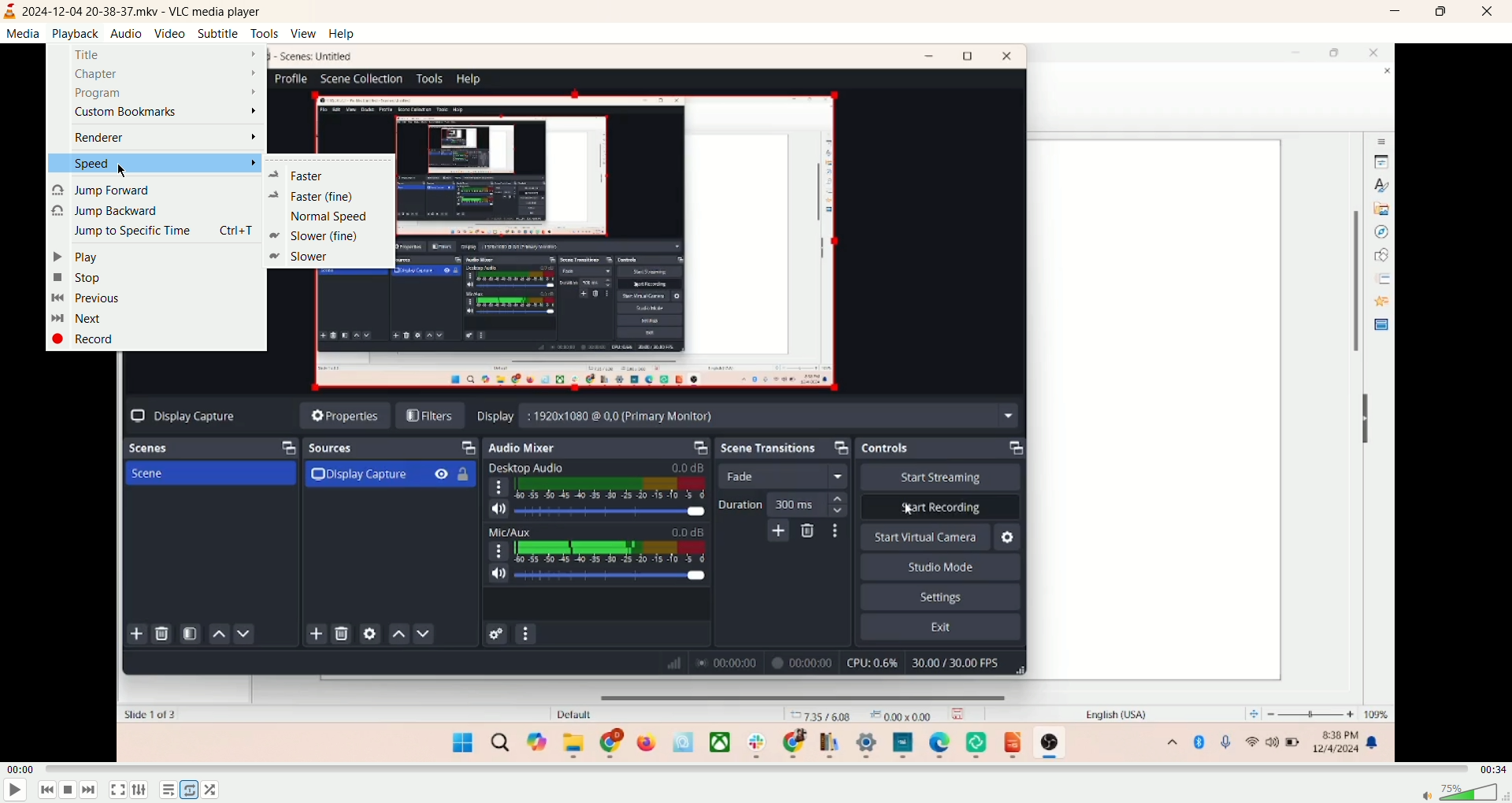 This screenshot has height=803, width=1512. What do you see at coordinates (755, 772) in the screenshot?
I see `progress bar` at bounding box center [755, 772].